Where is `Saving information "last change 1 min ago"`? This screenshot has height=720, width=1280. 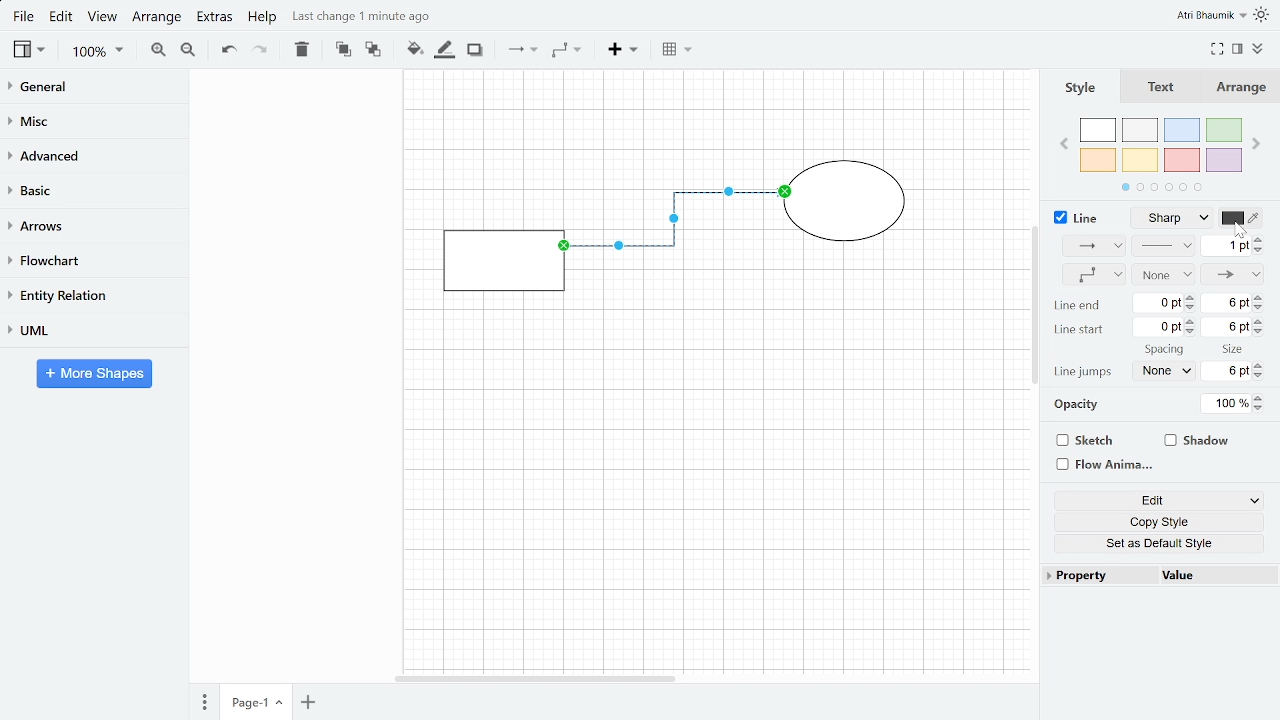
Saving information "last change 1 min ago" is located at coordinates (370, 17).